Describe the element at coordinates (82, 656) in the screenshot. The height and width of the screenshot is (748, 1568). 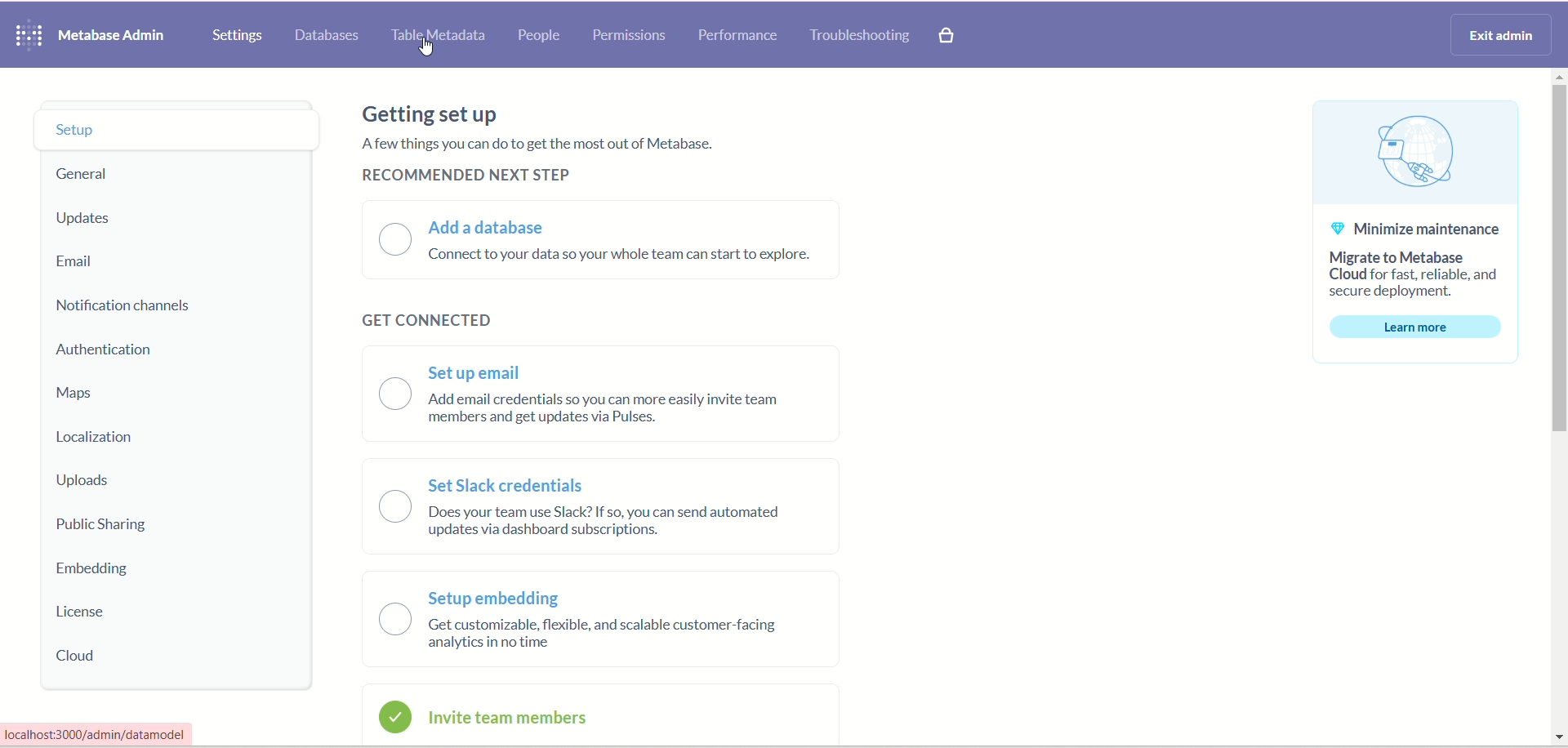
I see `cloud` at that location.